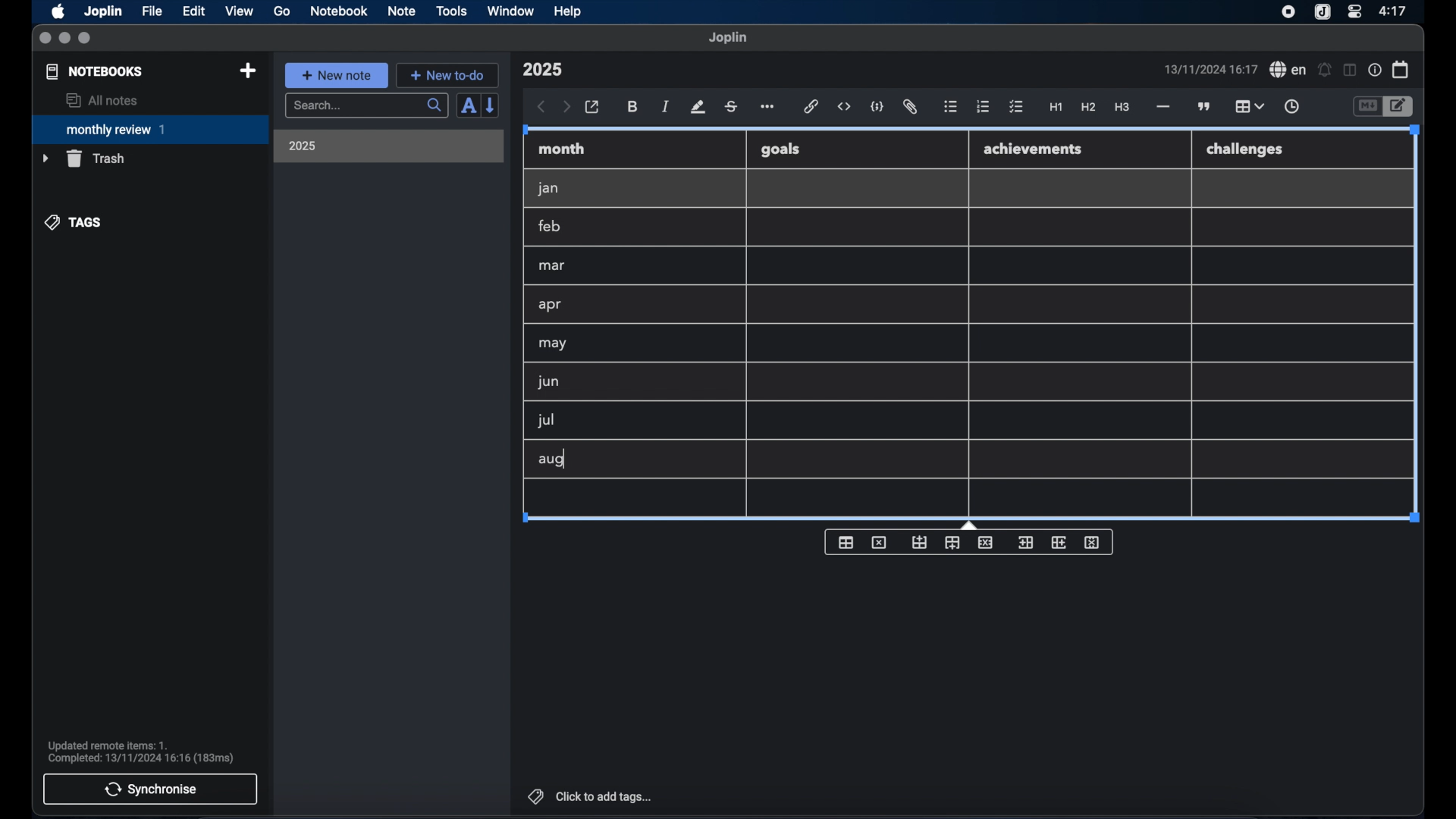 This screenshot has height=819, width=1456. What do you see at coordinates (491, 105) in the screenshot?
I see `reverse sort order` at bounding box center [491, 105].